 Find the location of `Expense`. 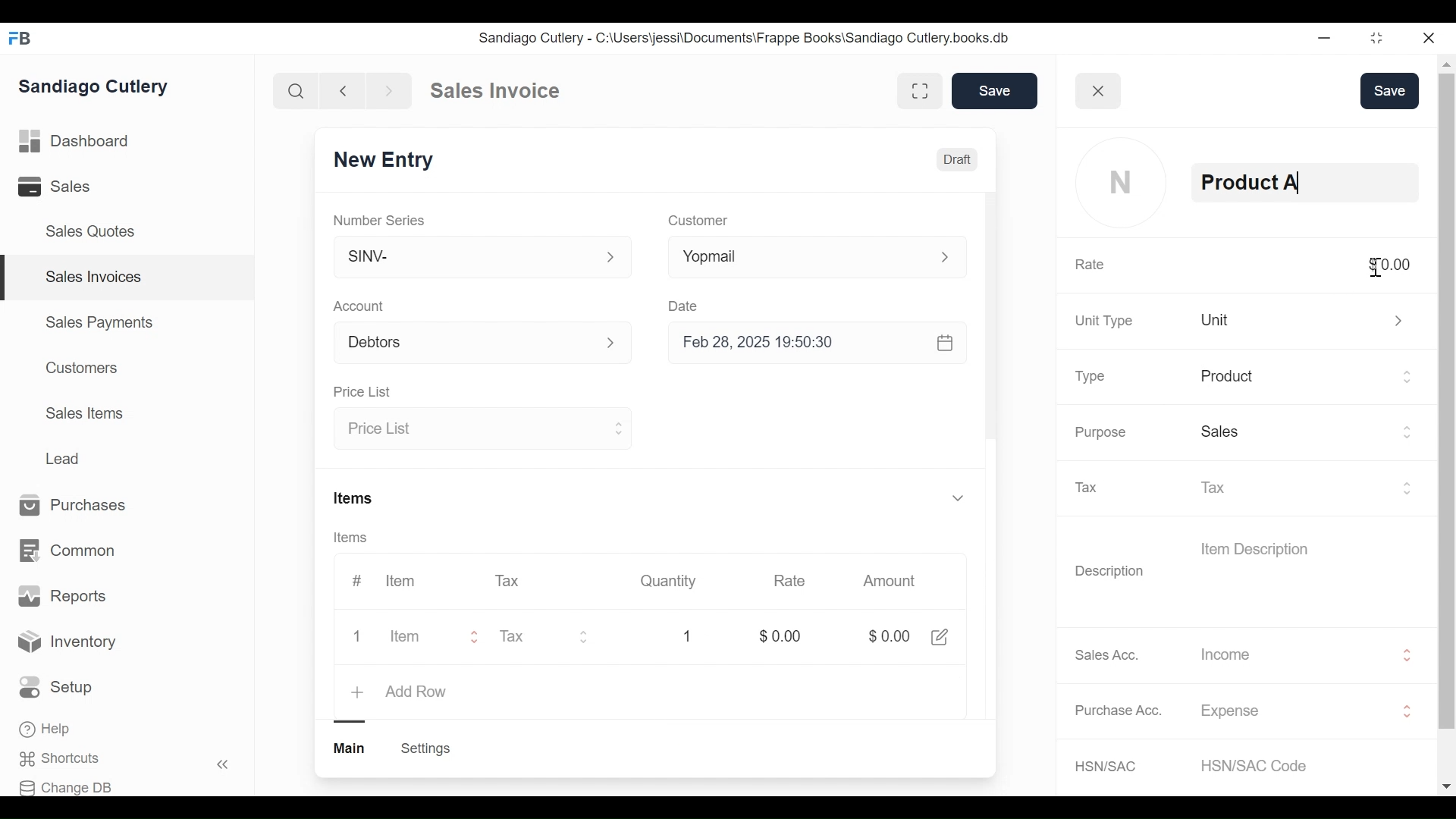

Expense is located at coordinates (1307, 711).